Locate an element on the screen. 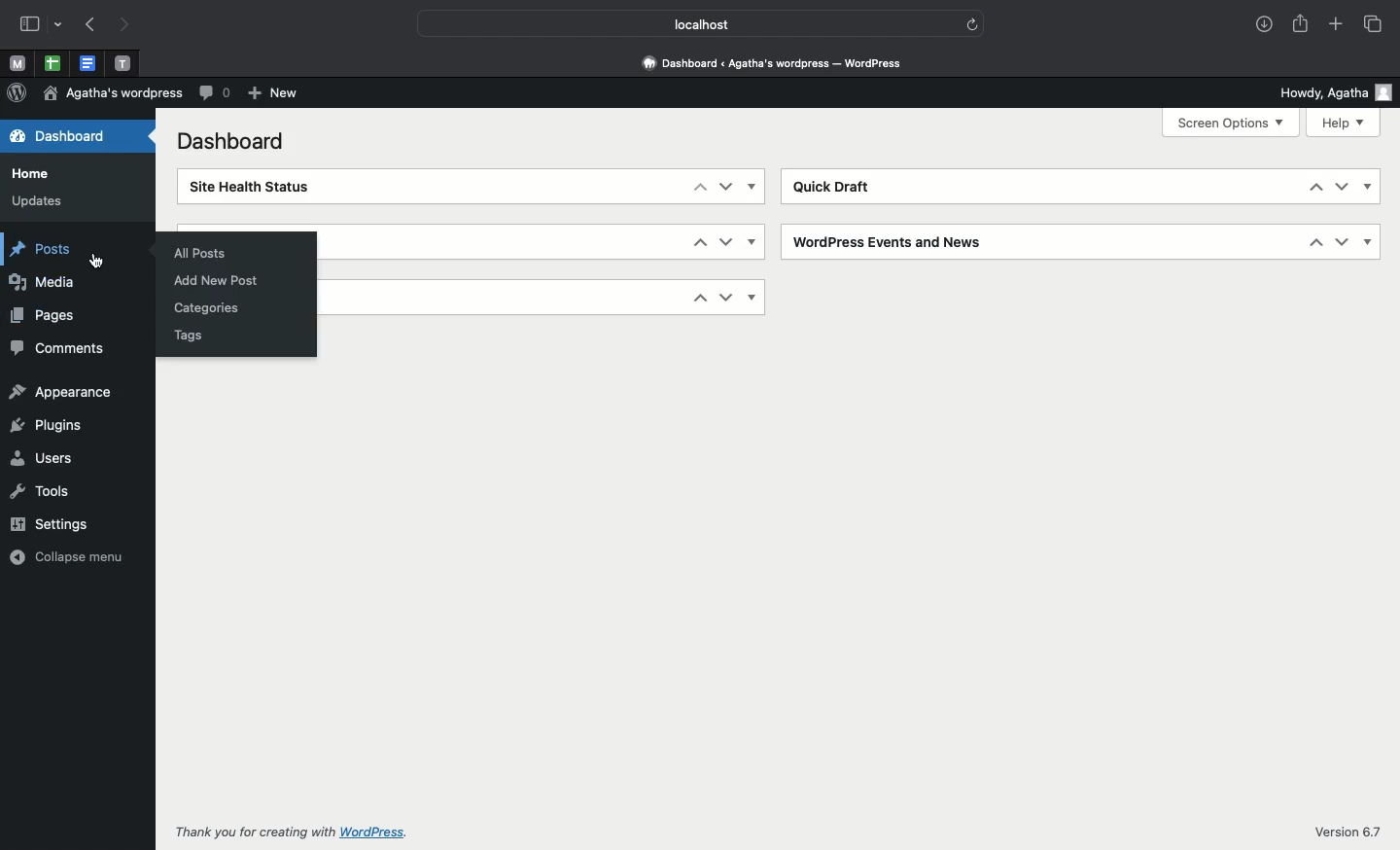 The width and height of the screenshot is (1400, 850). Categories is located at coordinates (201, 308).